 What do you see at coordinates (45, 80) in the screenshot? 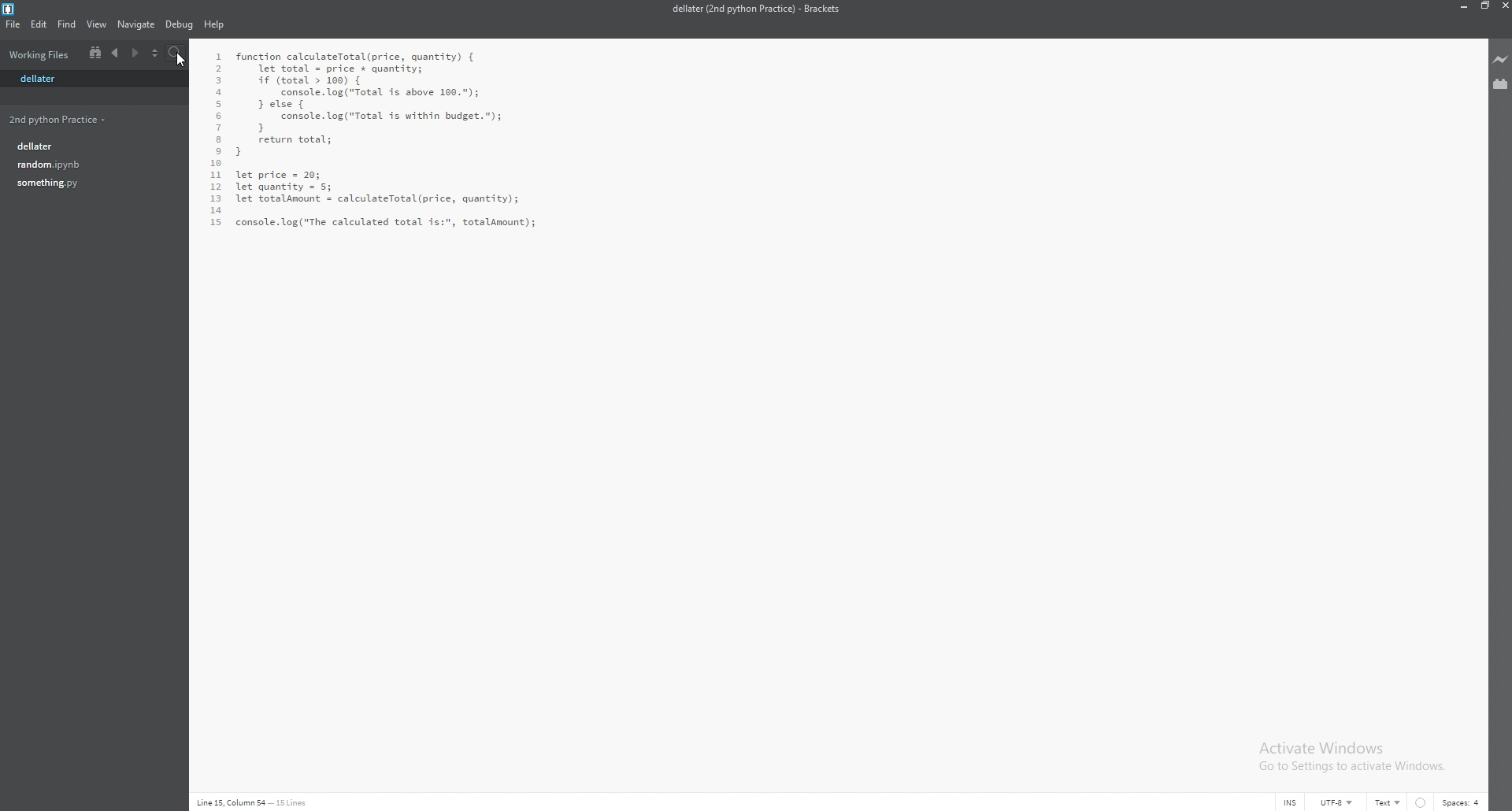
I see `dellater` at bounding box center [45, 80].